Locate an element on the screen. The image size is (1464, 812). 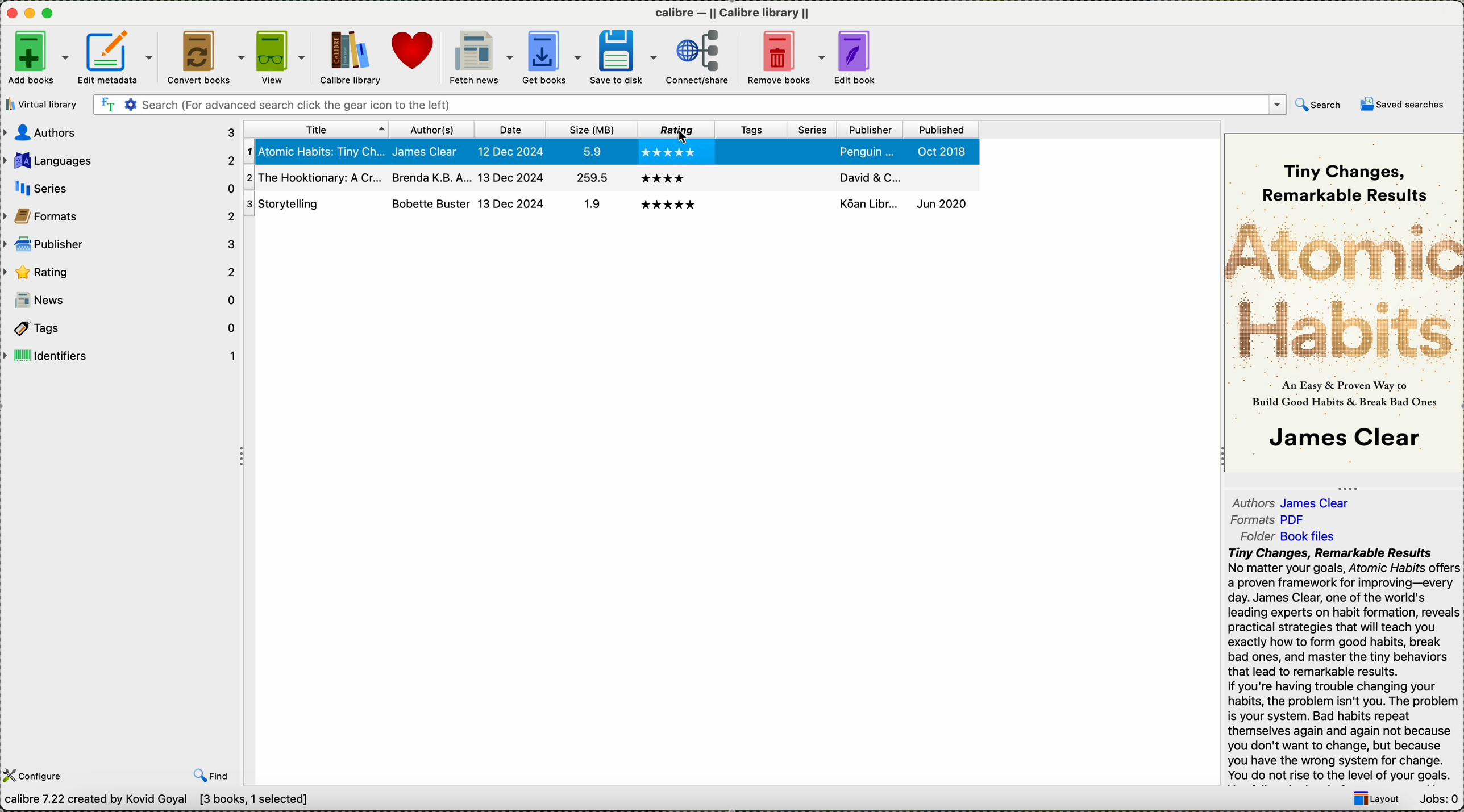
series is located at coordinates (811, 206).